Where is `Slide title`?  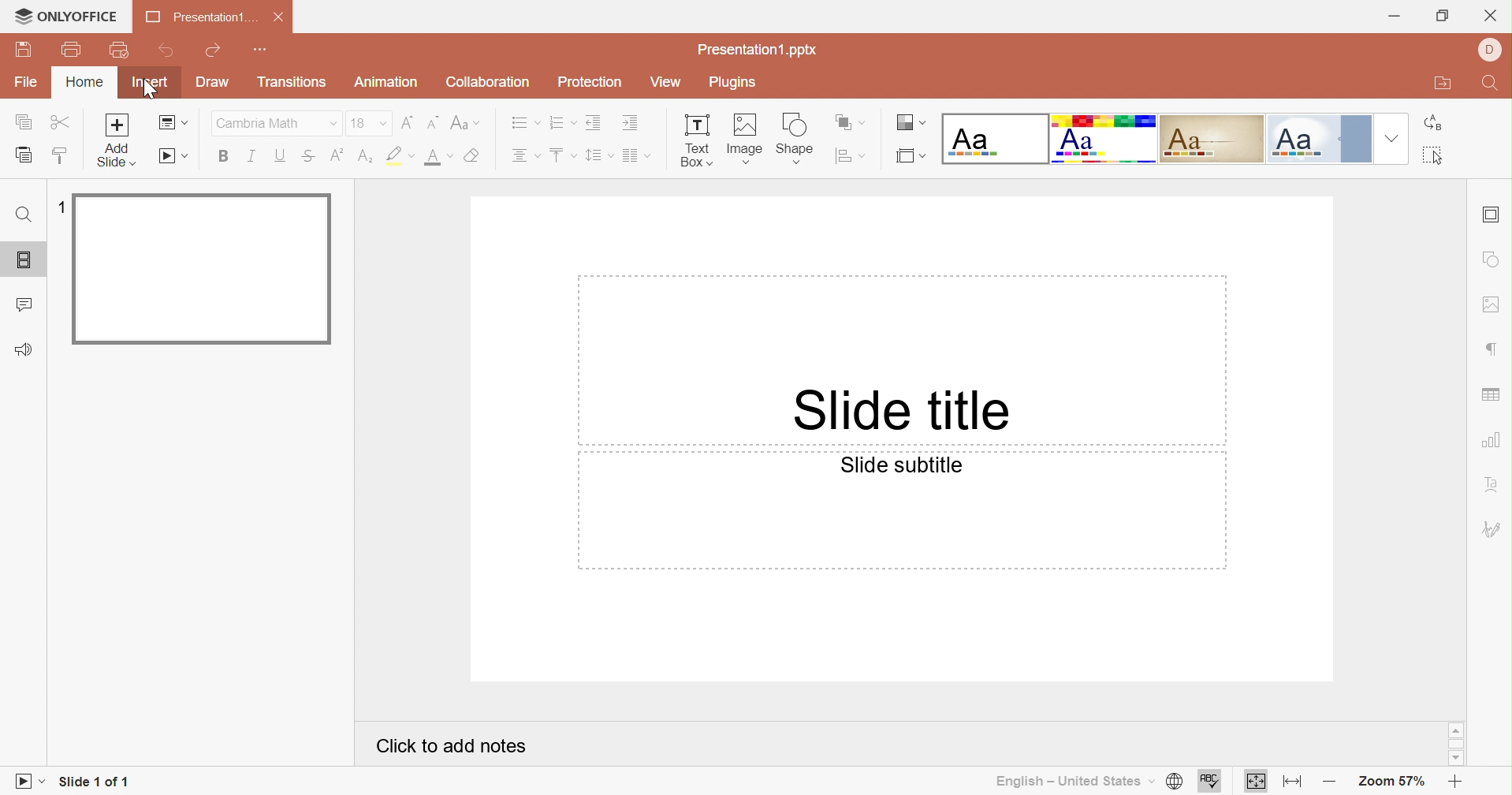
Slide title is located at coordinates (900, 409).